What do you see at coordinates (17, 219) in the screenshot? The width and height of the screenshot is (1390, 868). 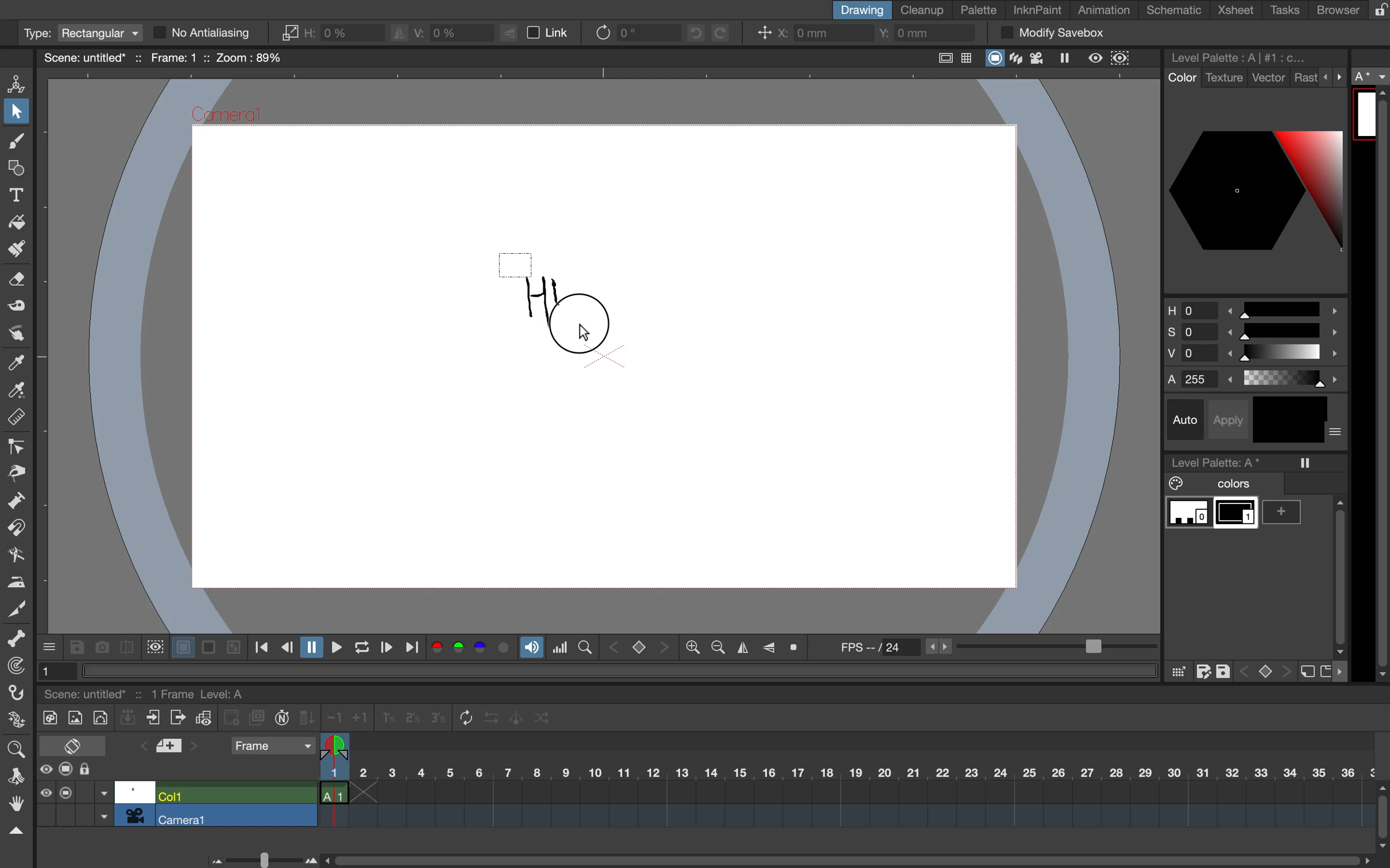 I see `fill tool` at bounding box center [17, 219].